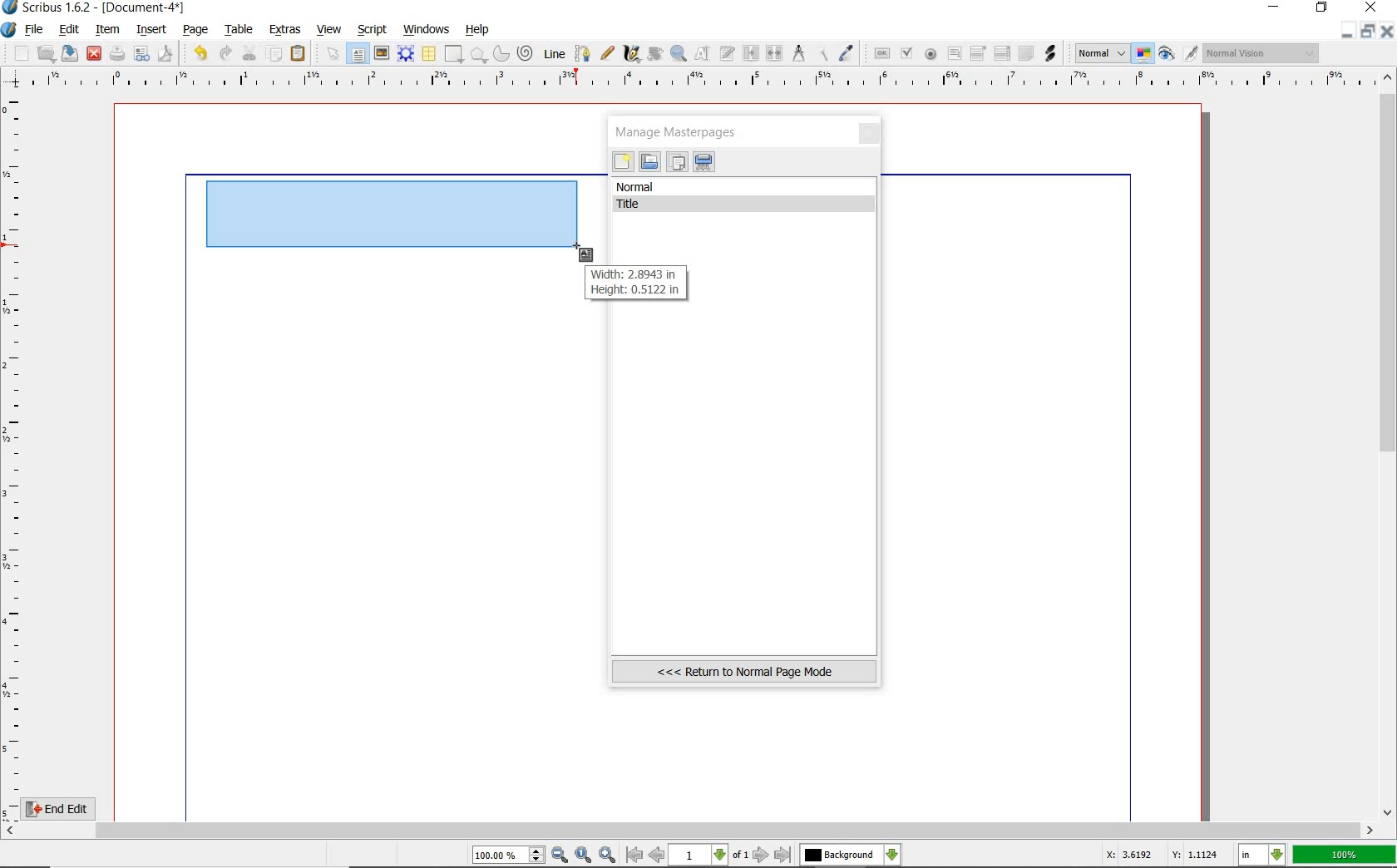 This screenshot has width=1397, height=868. What do you see at coordinates (659, 856) in the screenshot?
I see `go to previous page` at bounding box center [659, 856].